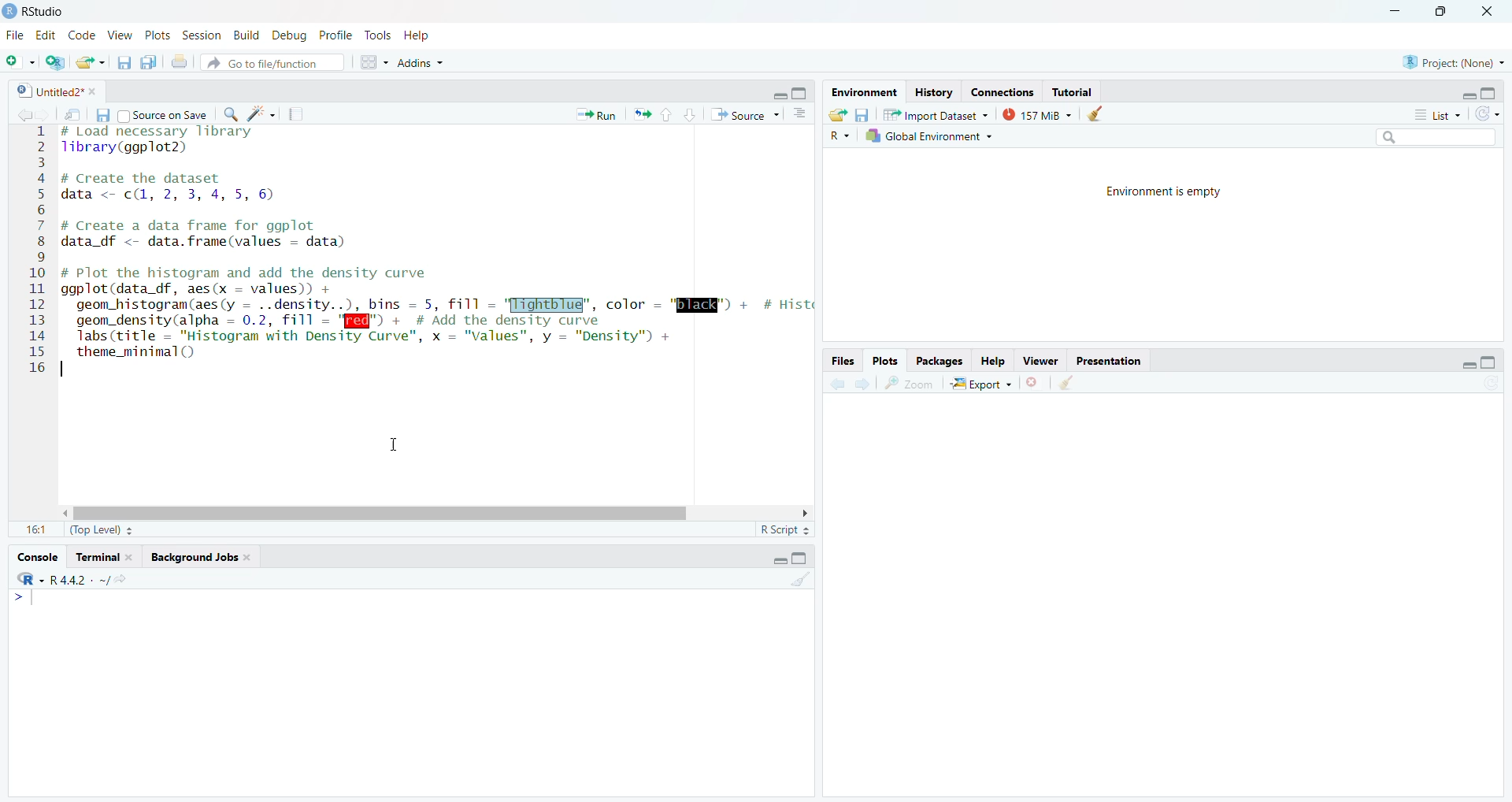 The width and height of the screenshot is (1512, 802). I want to click on Profile, so click(334, 35).